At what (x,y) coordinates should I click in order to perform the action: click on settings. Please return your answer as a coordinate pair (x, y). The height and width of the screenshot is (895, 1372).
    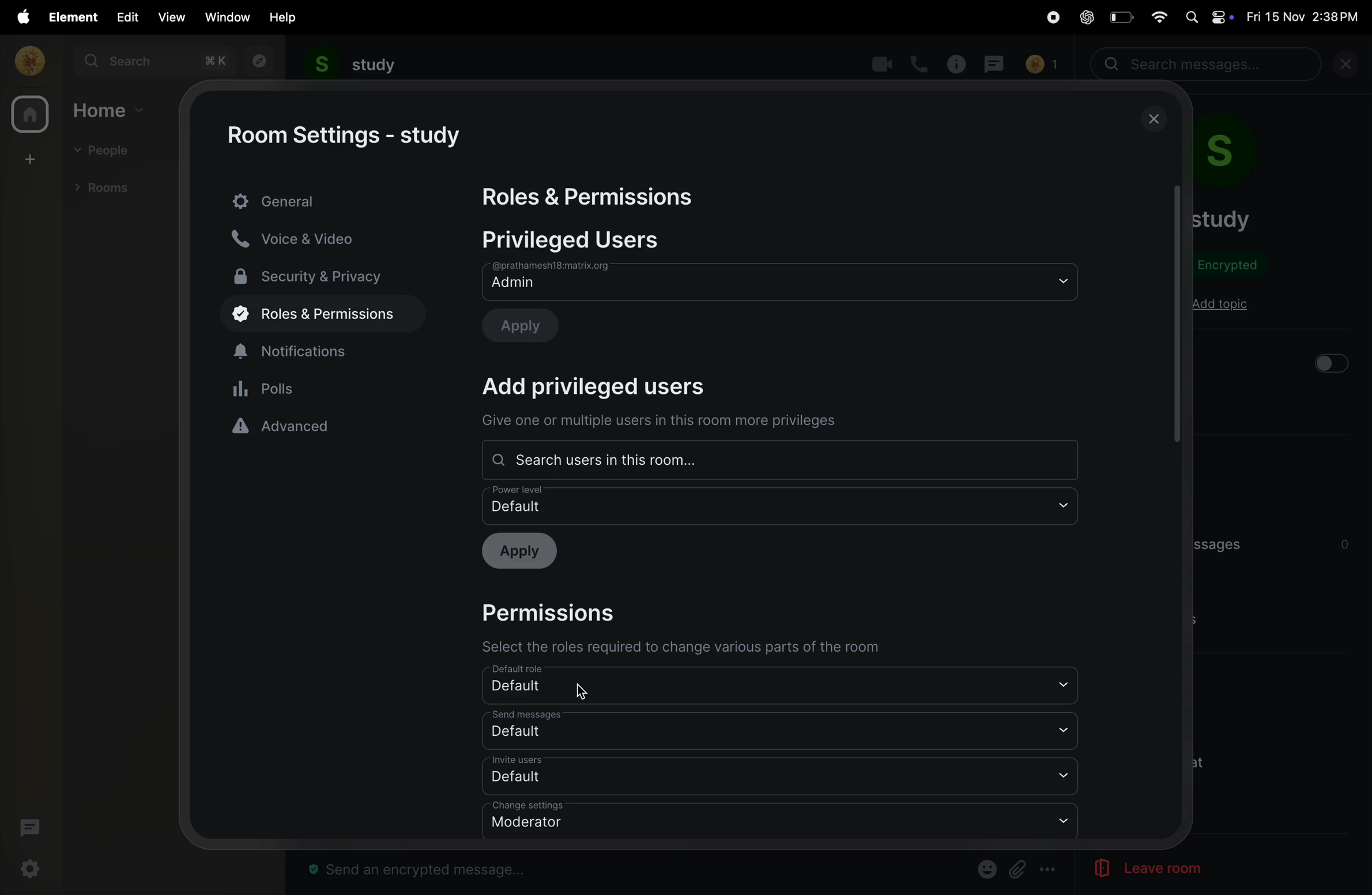
    Looking at the image, I should click on (32, 870).